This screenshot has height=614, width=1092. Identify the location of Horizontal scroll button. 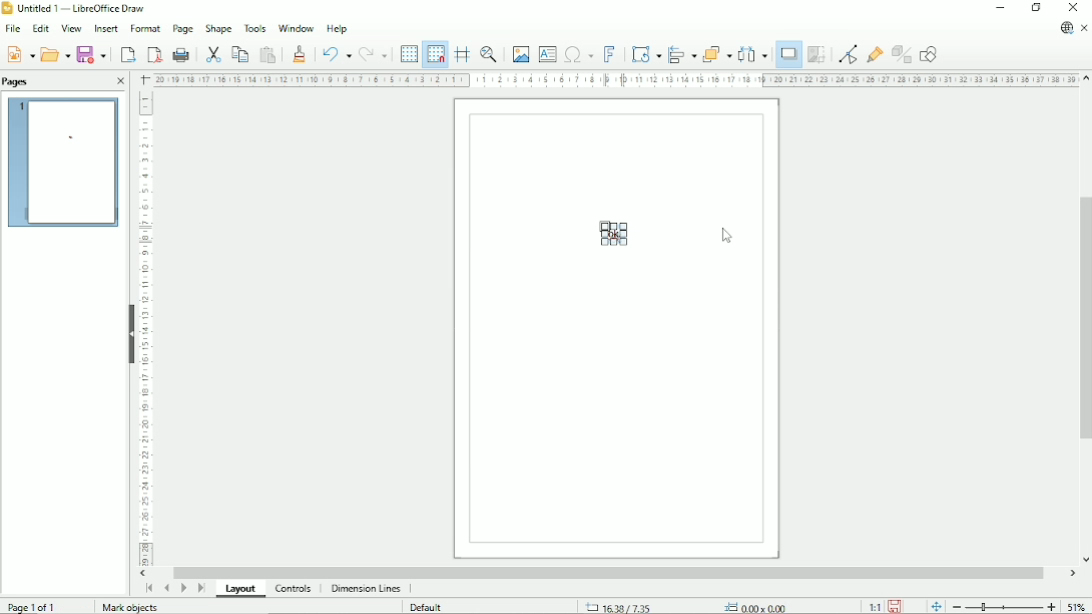
(145, 574).